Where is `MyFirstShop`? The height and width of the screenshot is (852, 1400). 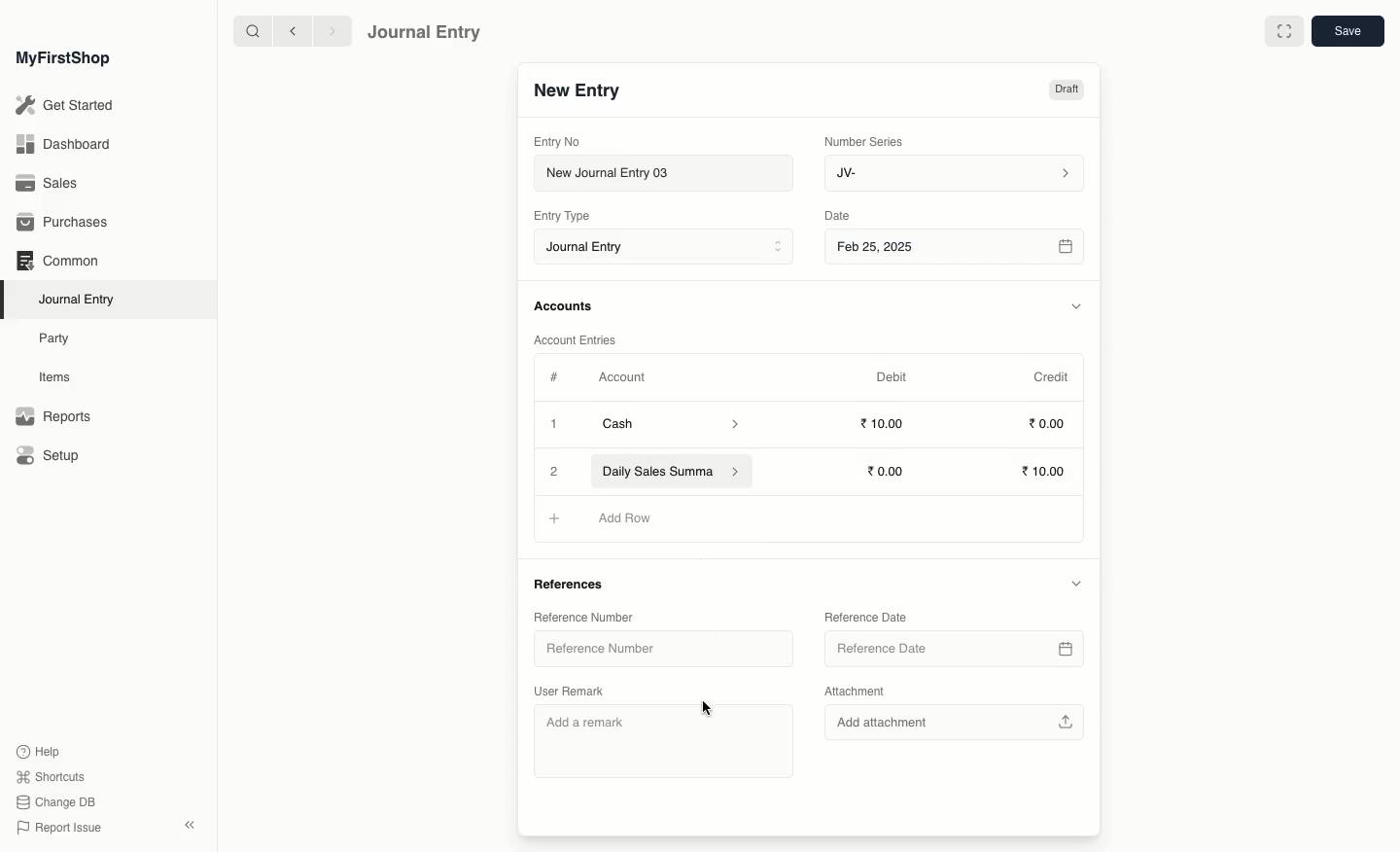
MyFirstShop is located at coordinates (61, 59).